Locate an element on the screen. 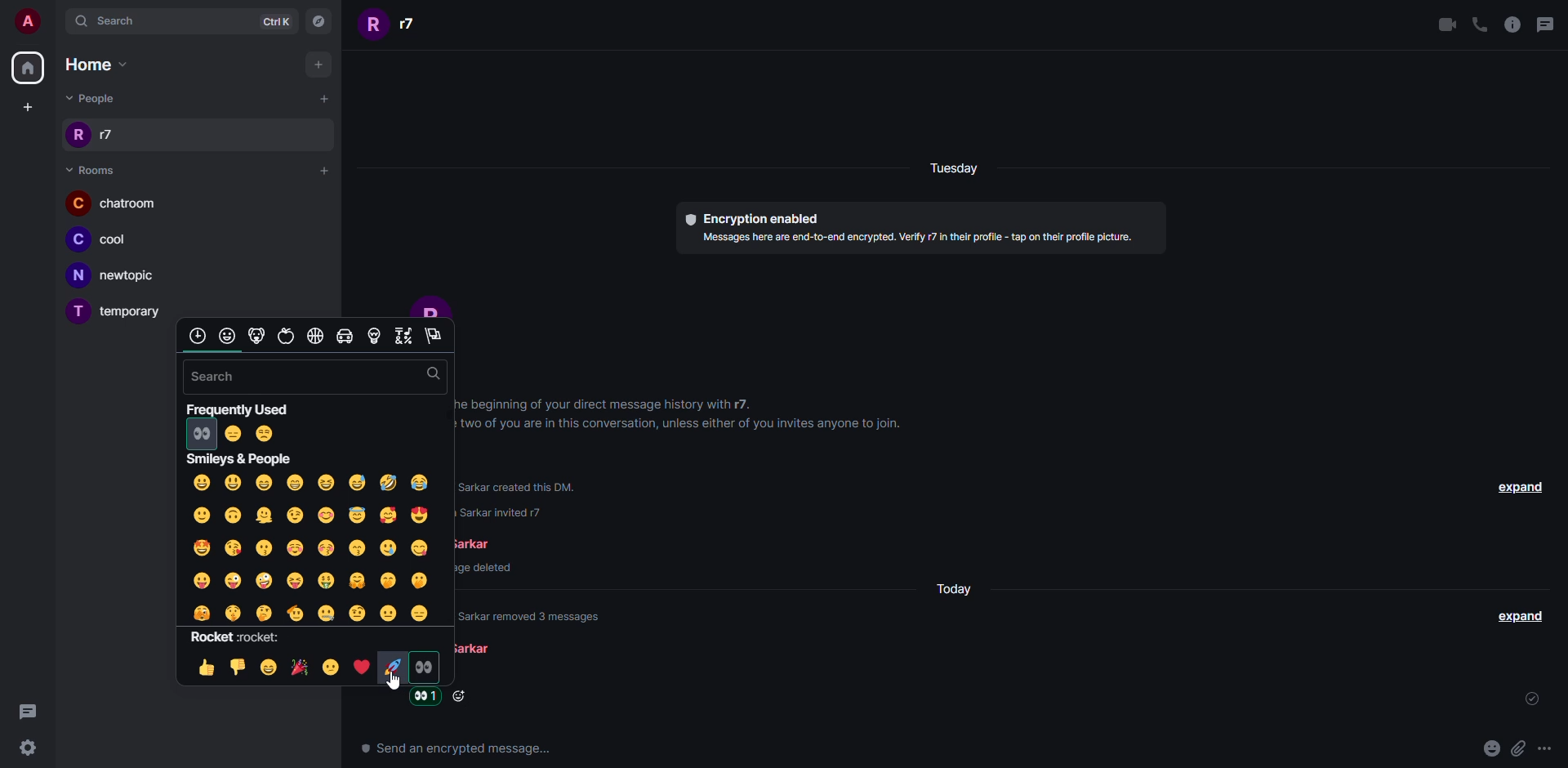  room is located at coordinates (109, 242).